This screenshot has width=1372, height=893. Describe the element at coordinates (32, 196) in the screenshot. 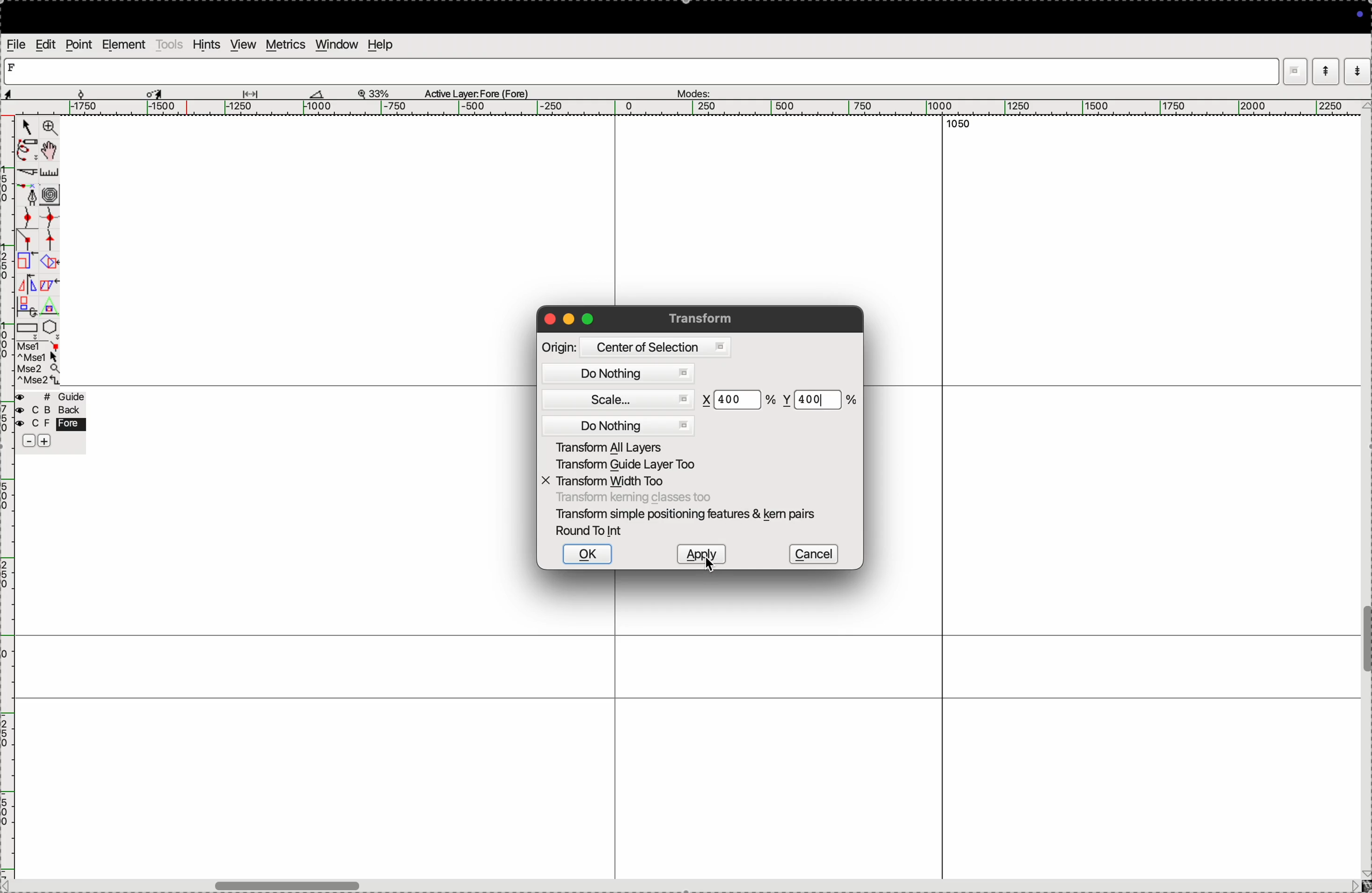

I see `fountain pen` at that location.